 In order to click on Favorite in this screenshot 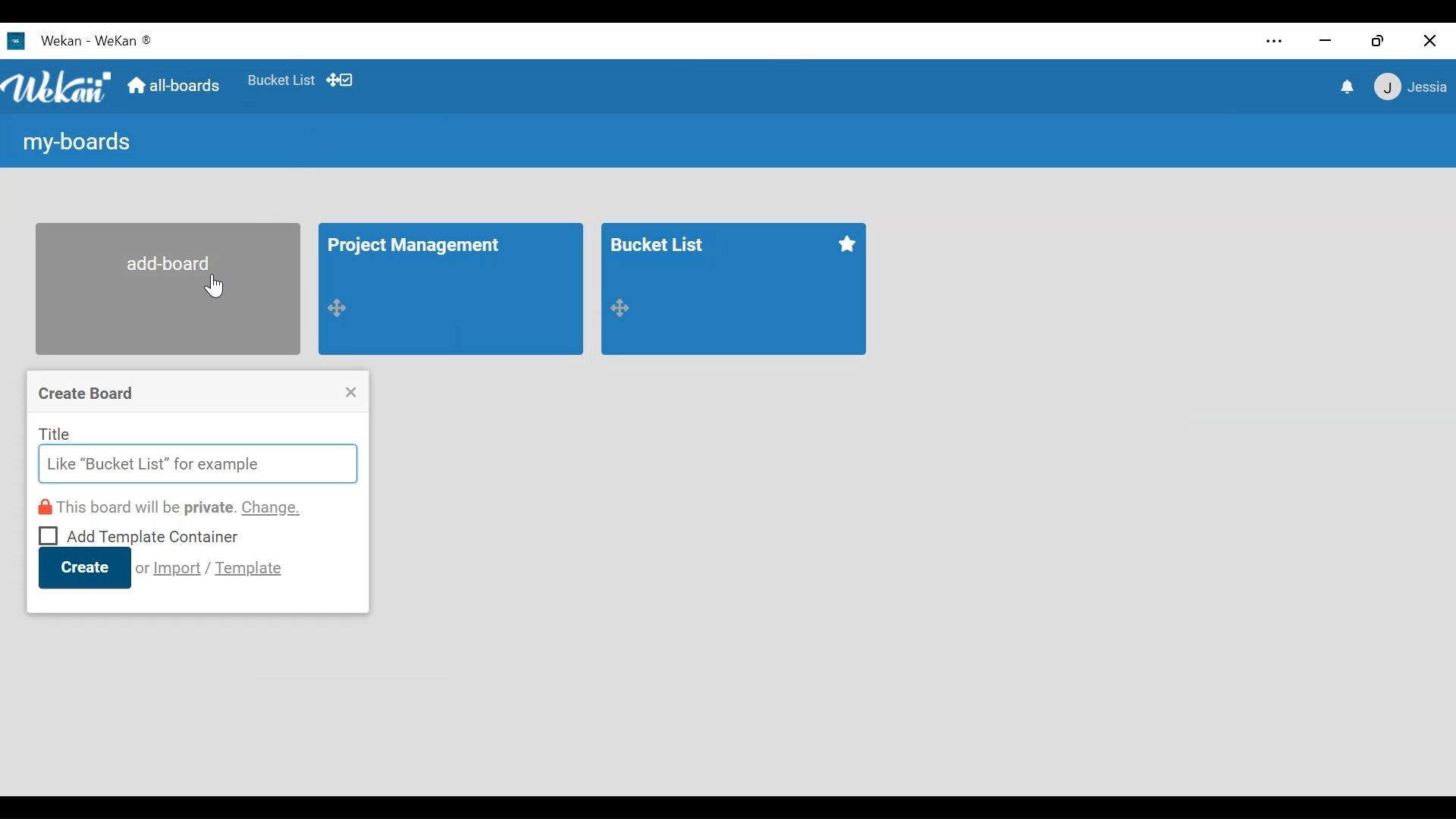, I will do `click(846, 244)`.